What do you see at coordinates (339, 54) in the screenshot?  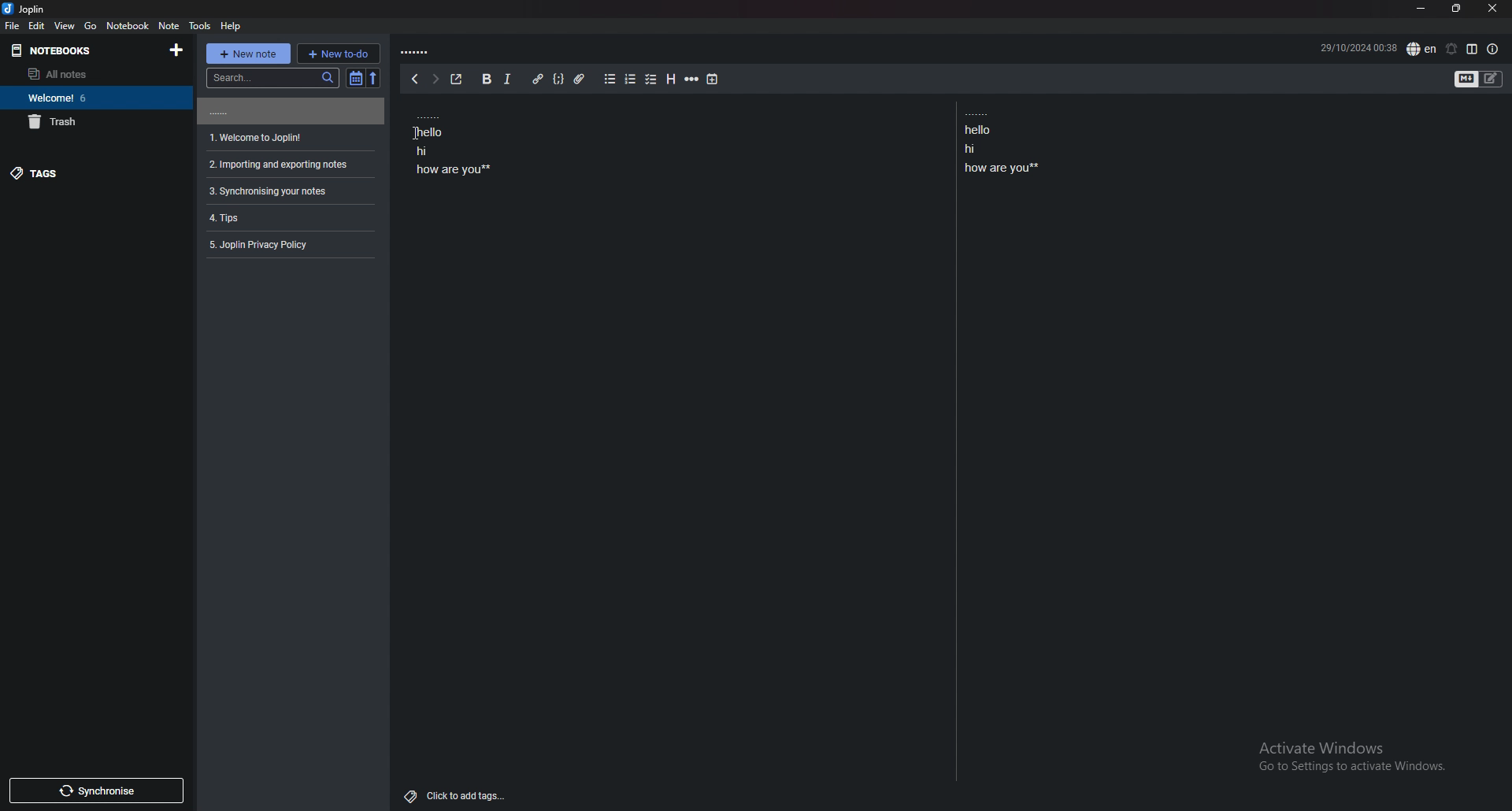 I see `new to do` at bounding box center [339, 54].